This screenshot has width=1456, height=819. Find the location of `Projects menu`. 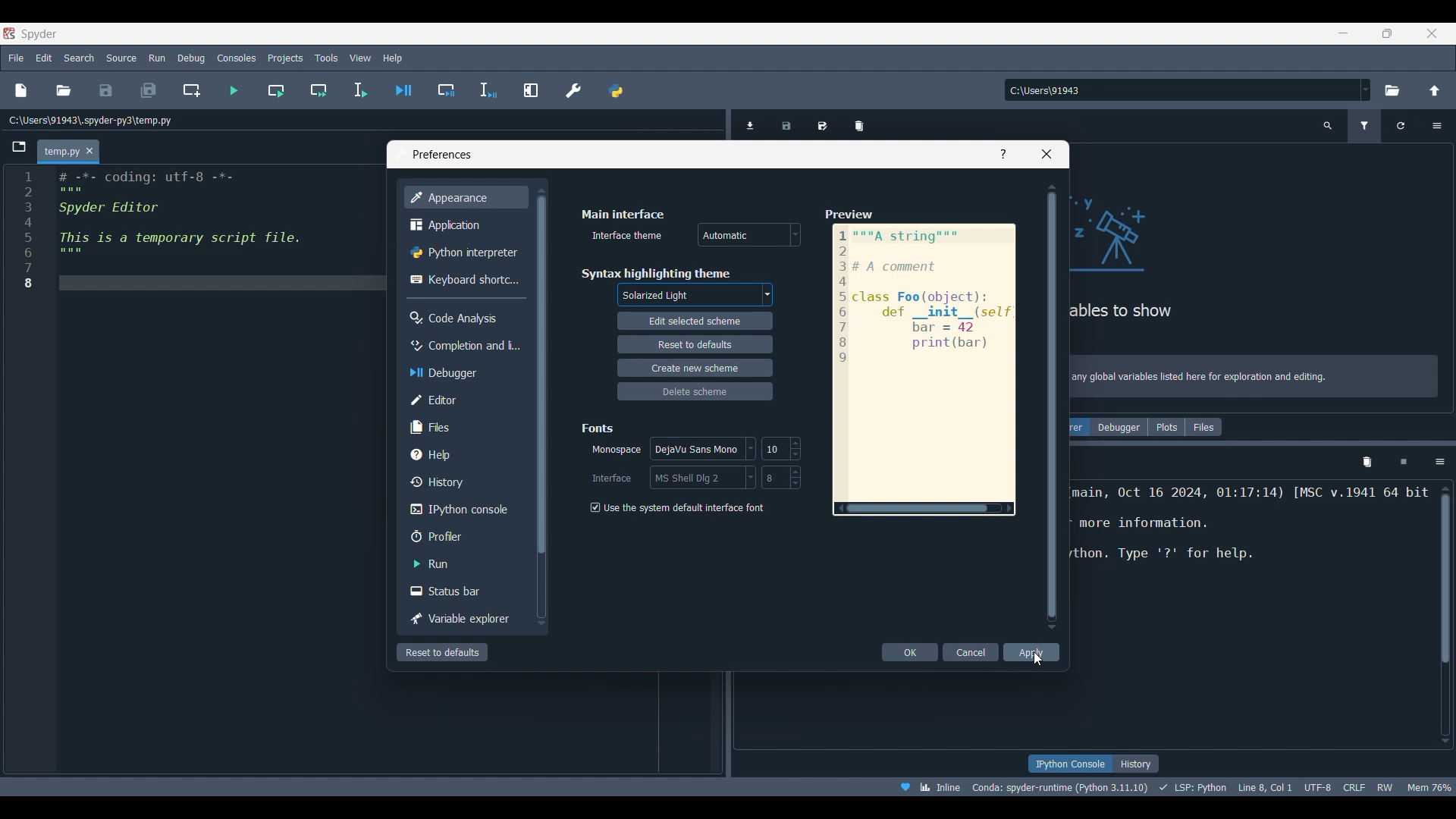

Projects menu is located at coordinates (286, 58).